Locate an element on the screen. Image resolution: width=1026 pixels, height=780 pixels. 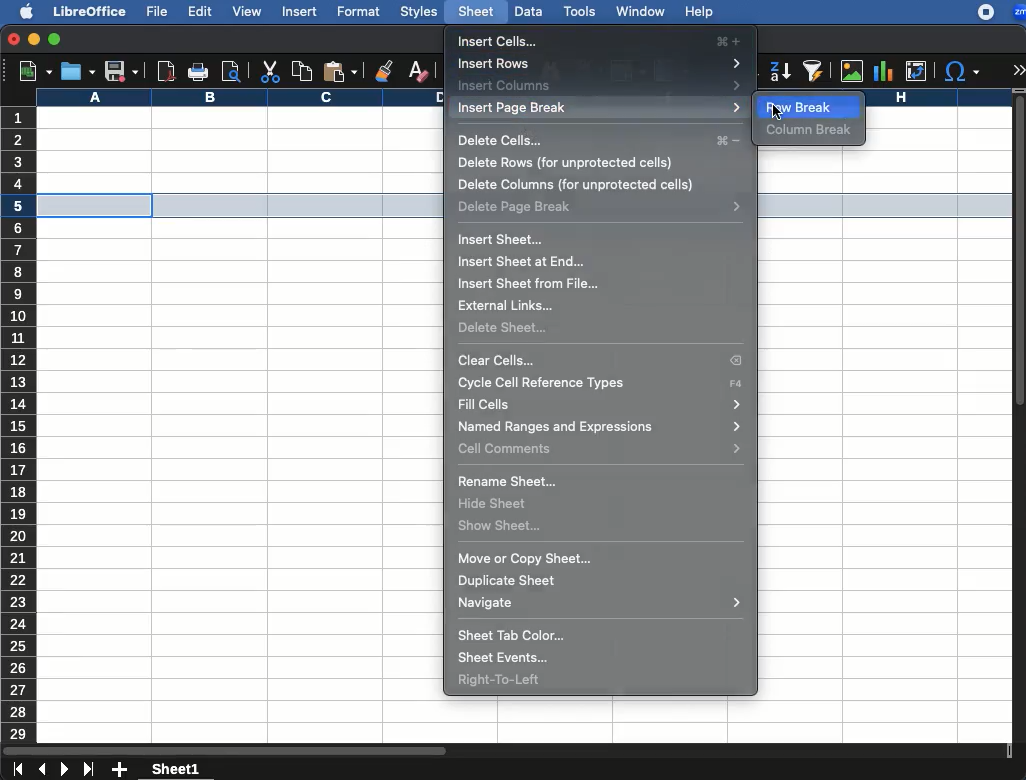
delete cells is located at coordinates (600, 142).